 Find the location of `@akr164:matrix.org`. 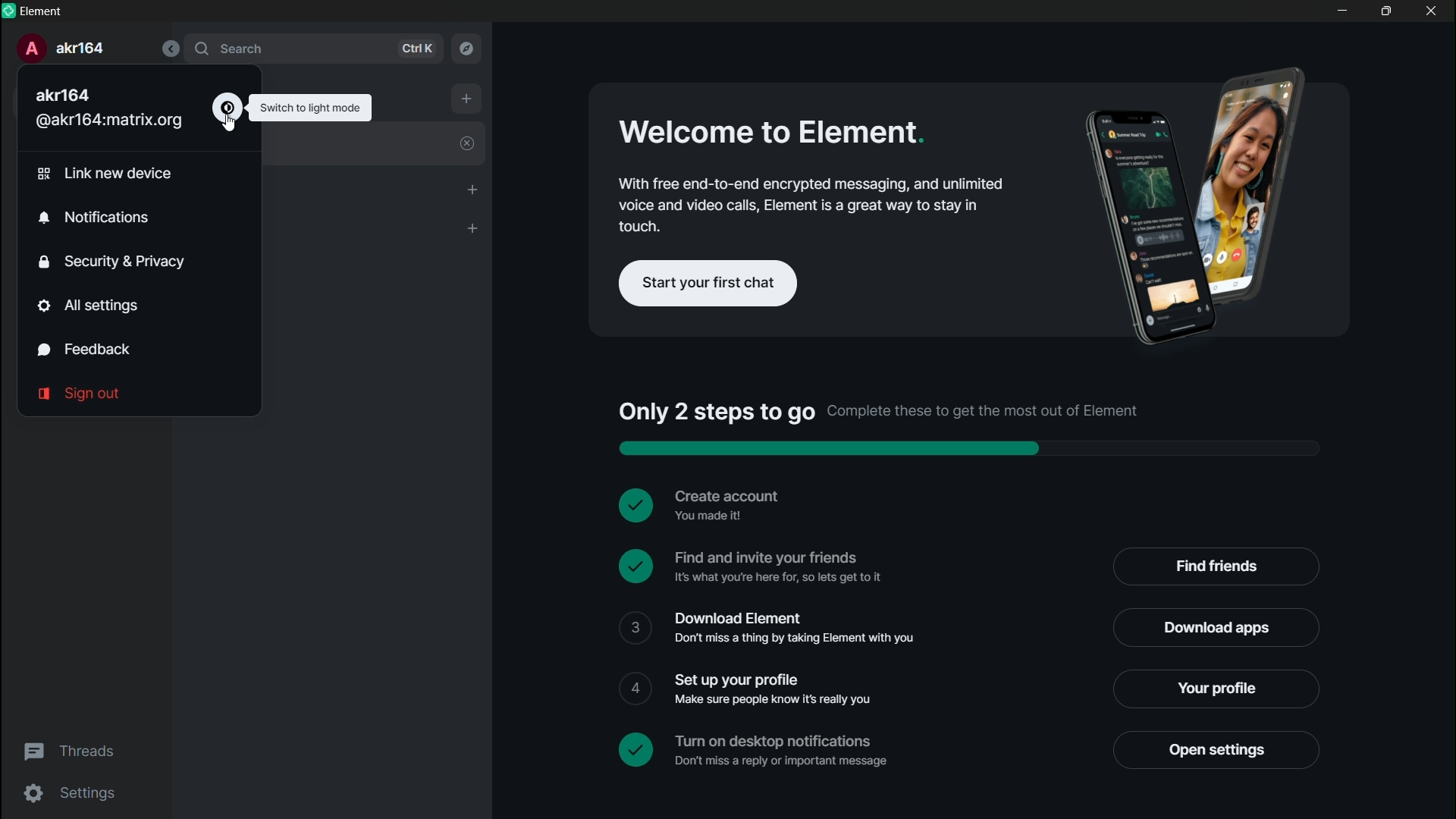

@akr164:matrix.org is located at coordinates (112, 121).